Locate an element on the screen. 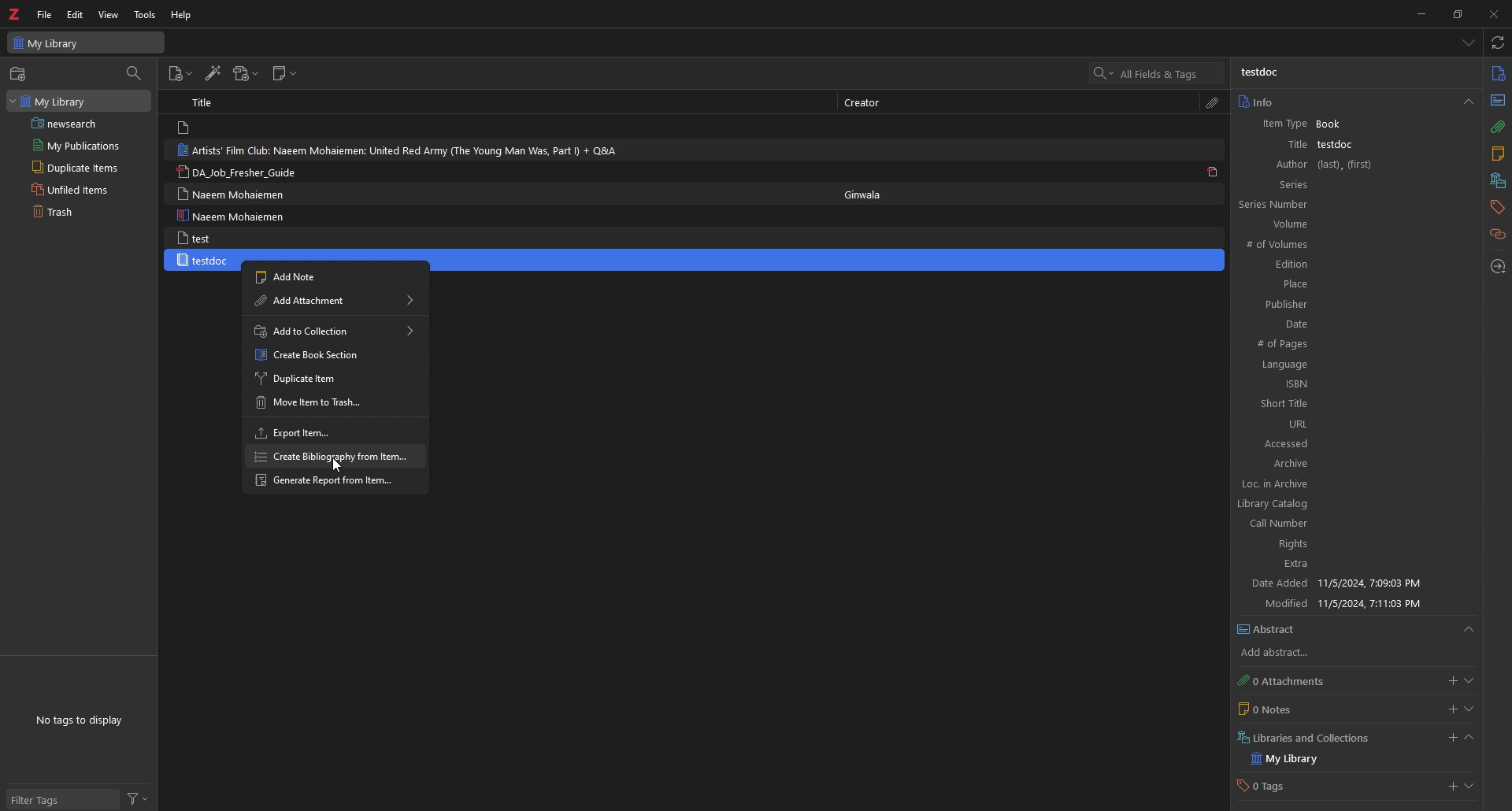  trash is located at coordinates (70, 213).